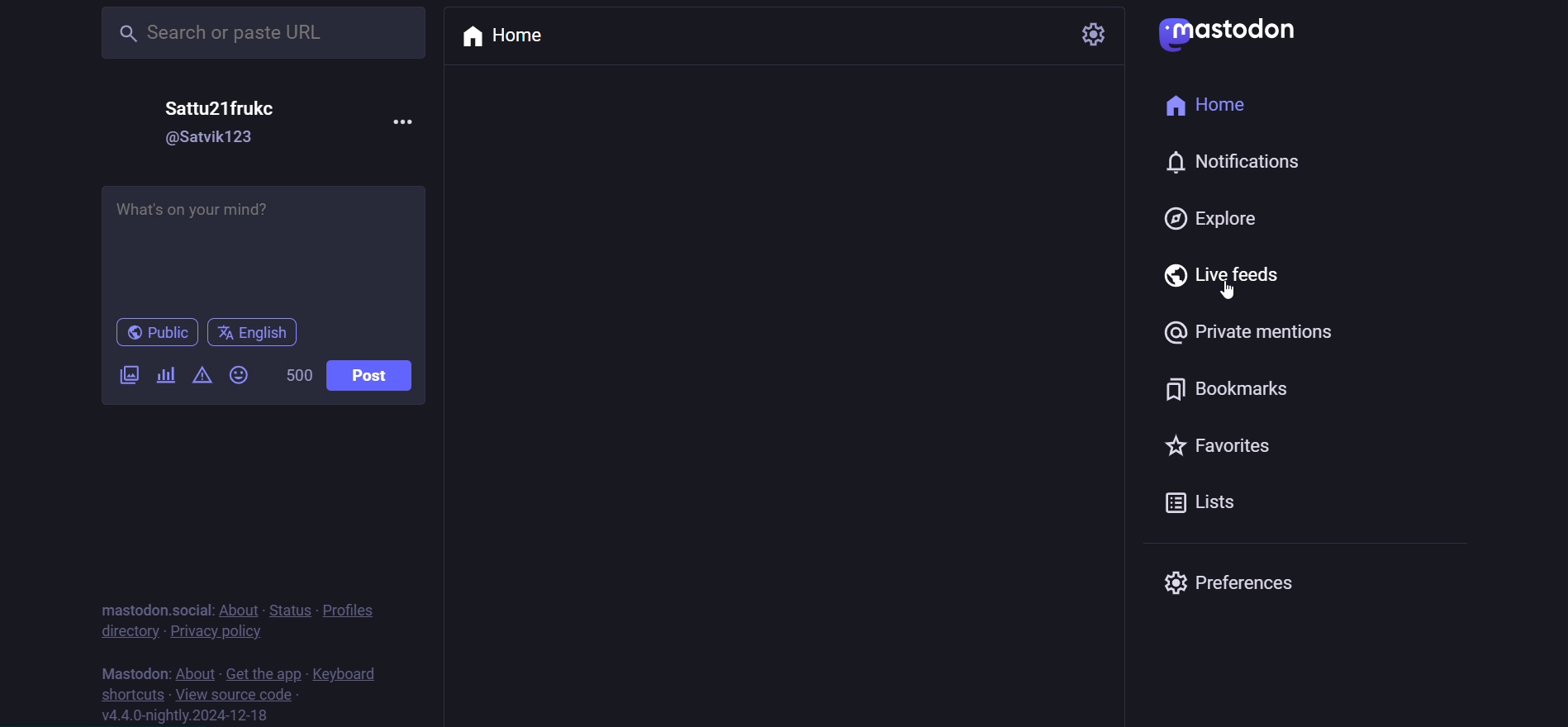 This screenshot has height=727, width=1568. I want to click on home, so click(501, 33).